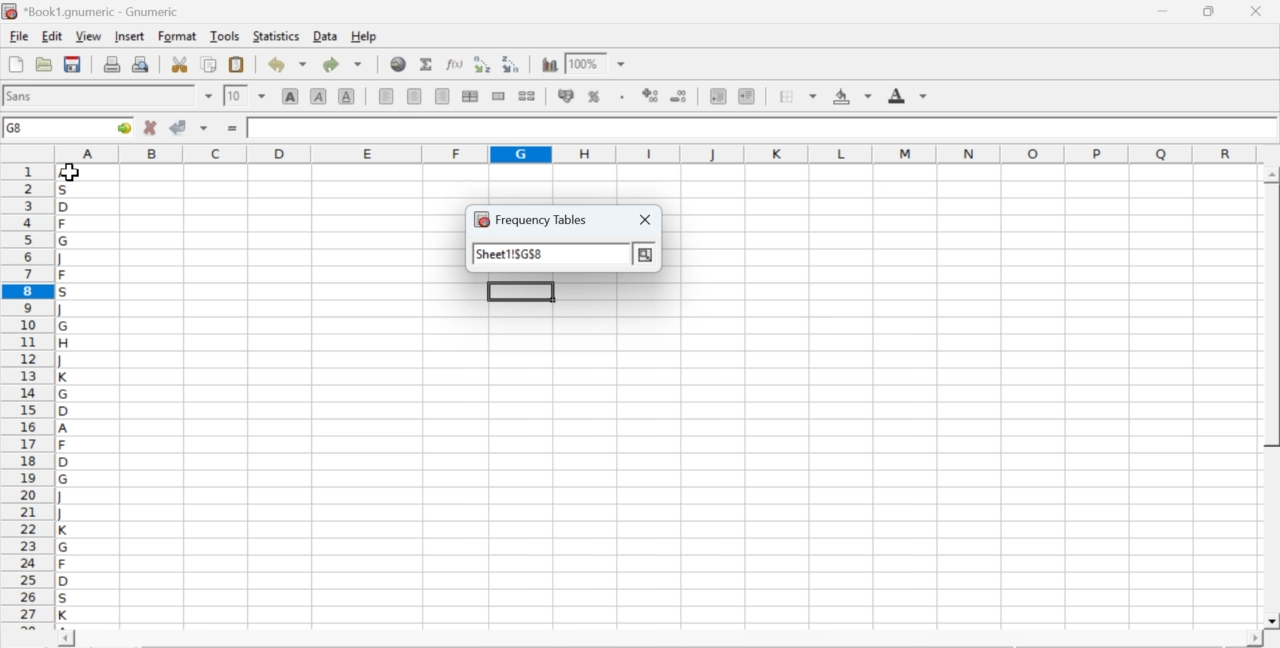 The image size is (1280, 648). Describe the element at coordinates (141, 63) in the screenshot. I see `print preview` at that location.